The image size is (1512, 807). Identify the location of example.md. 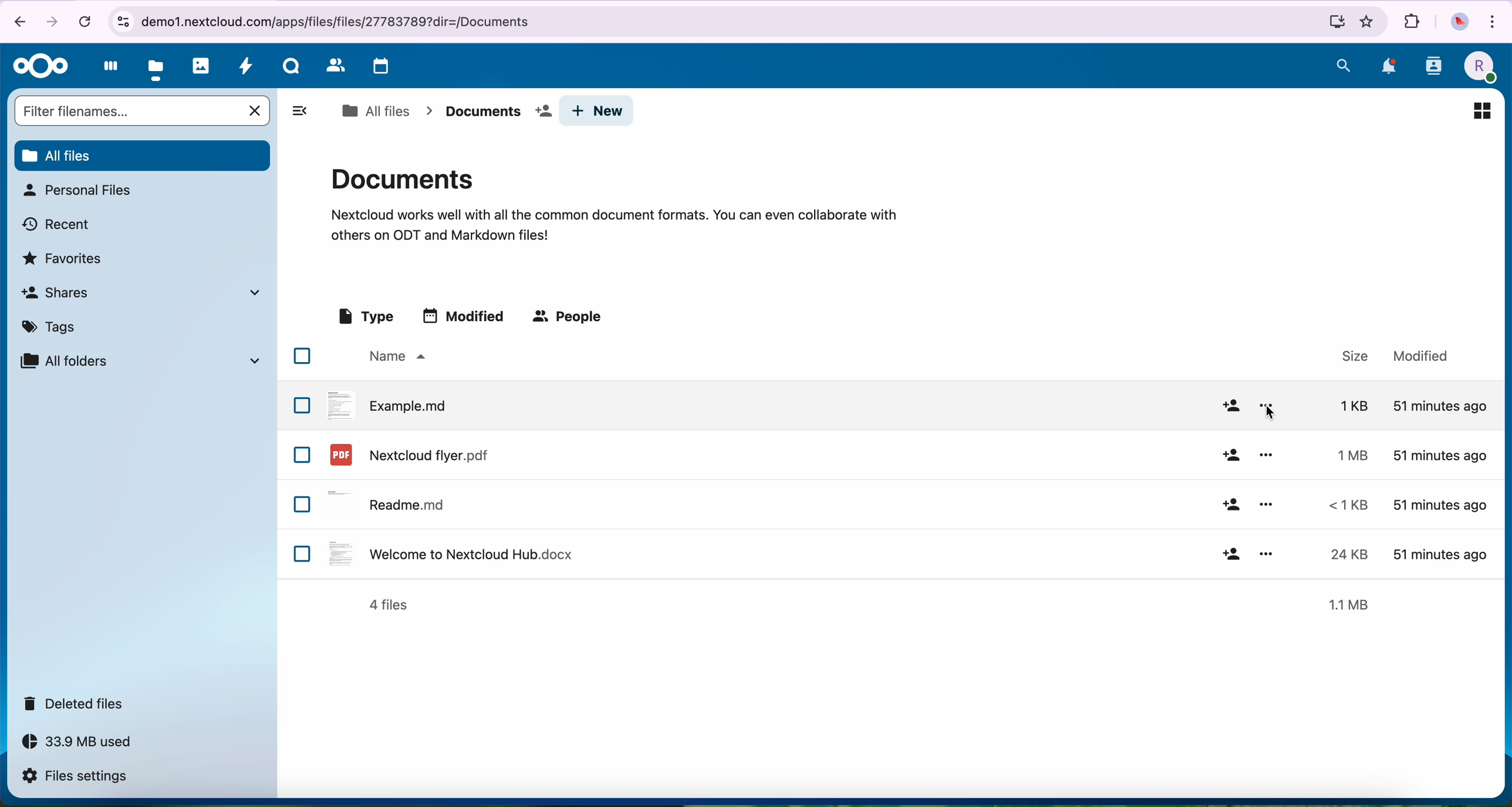
(388, 404).